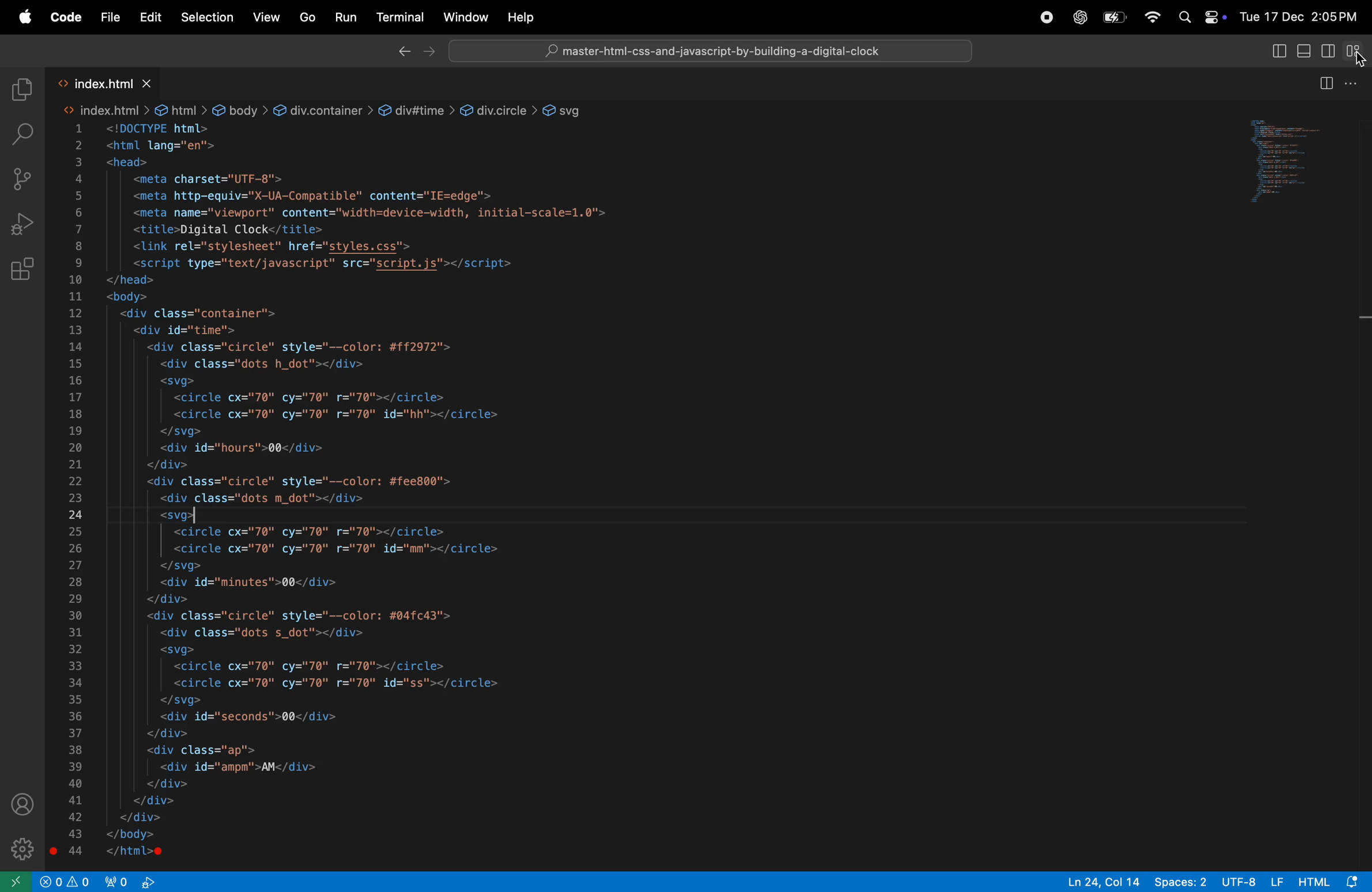 Image resolution: width=1372 pixels, height=892 pixels. Describe the element at coordinates (1324, 84) in the screenshot. I see `toggle editor` at that location.